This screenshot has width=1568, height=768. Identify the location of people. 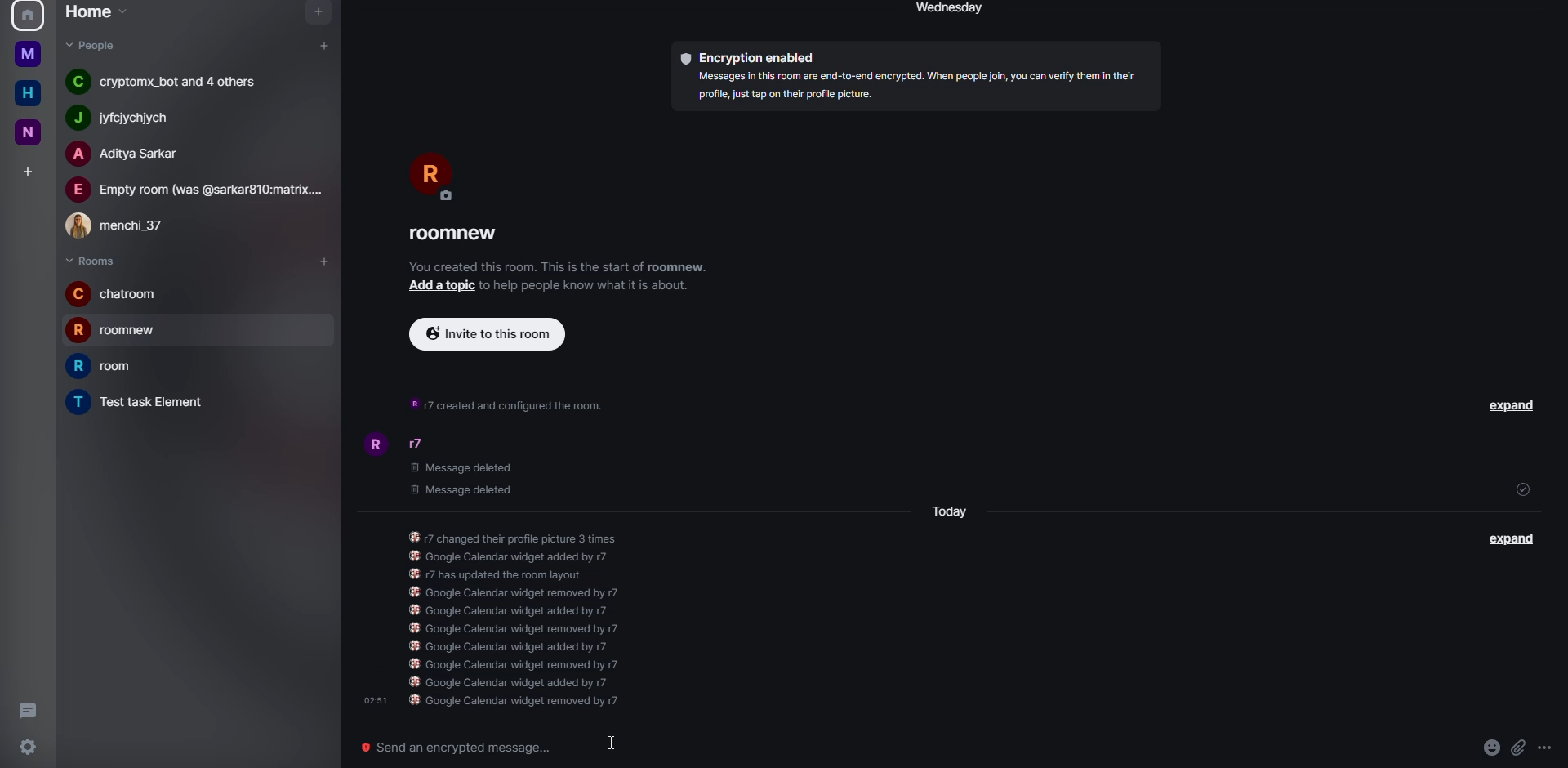
(132, 154).